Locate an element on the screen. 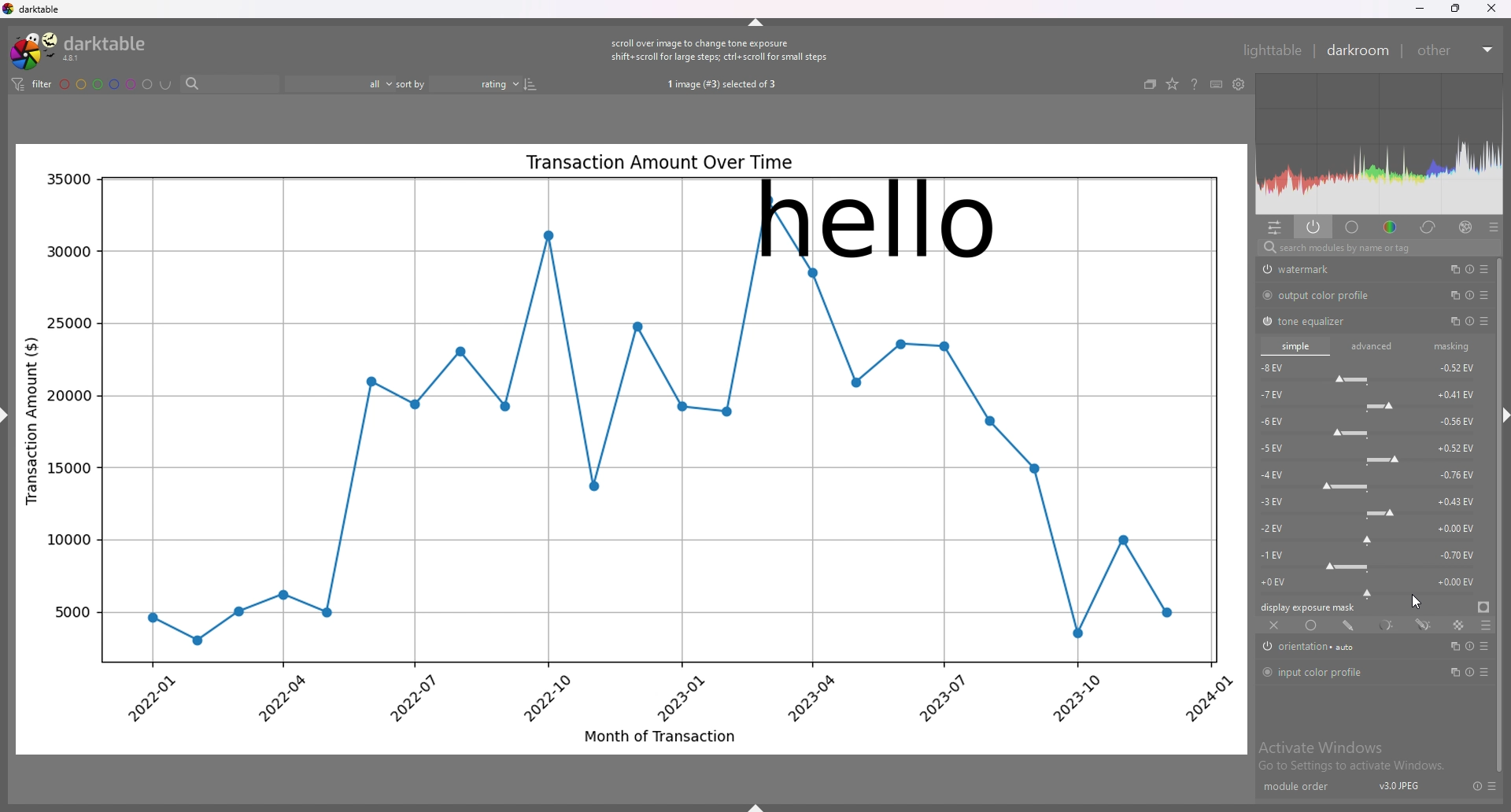 The width and height of the screenshot is (1511, 812). Activate Windows is located at coordinates (1321, 747).